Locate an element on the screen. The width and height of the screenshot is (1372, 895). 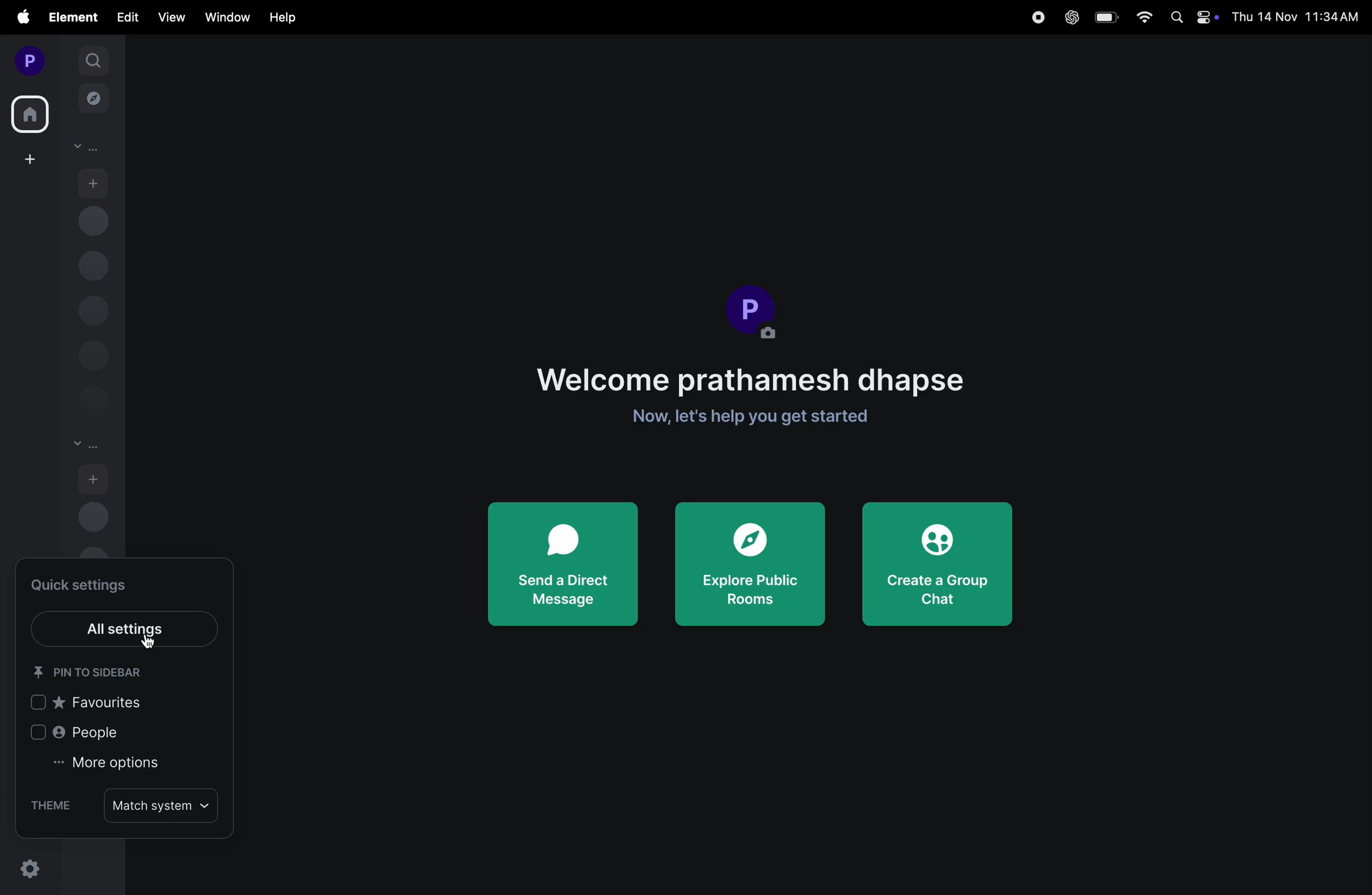
all settings is located at coordinates (122, 625).